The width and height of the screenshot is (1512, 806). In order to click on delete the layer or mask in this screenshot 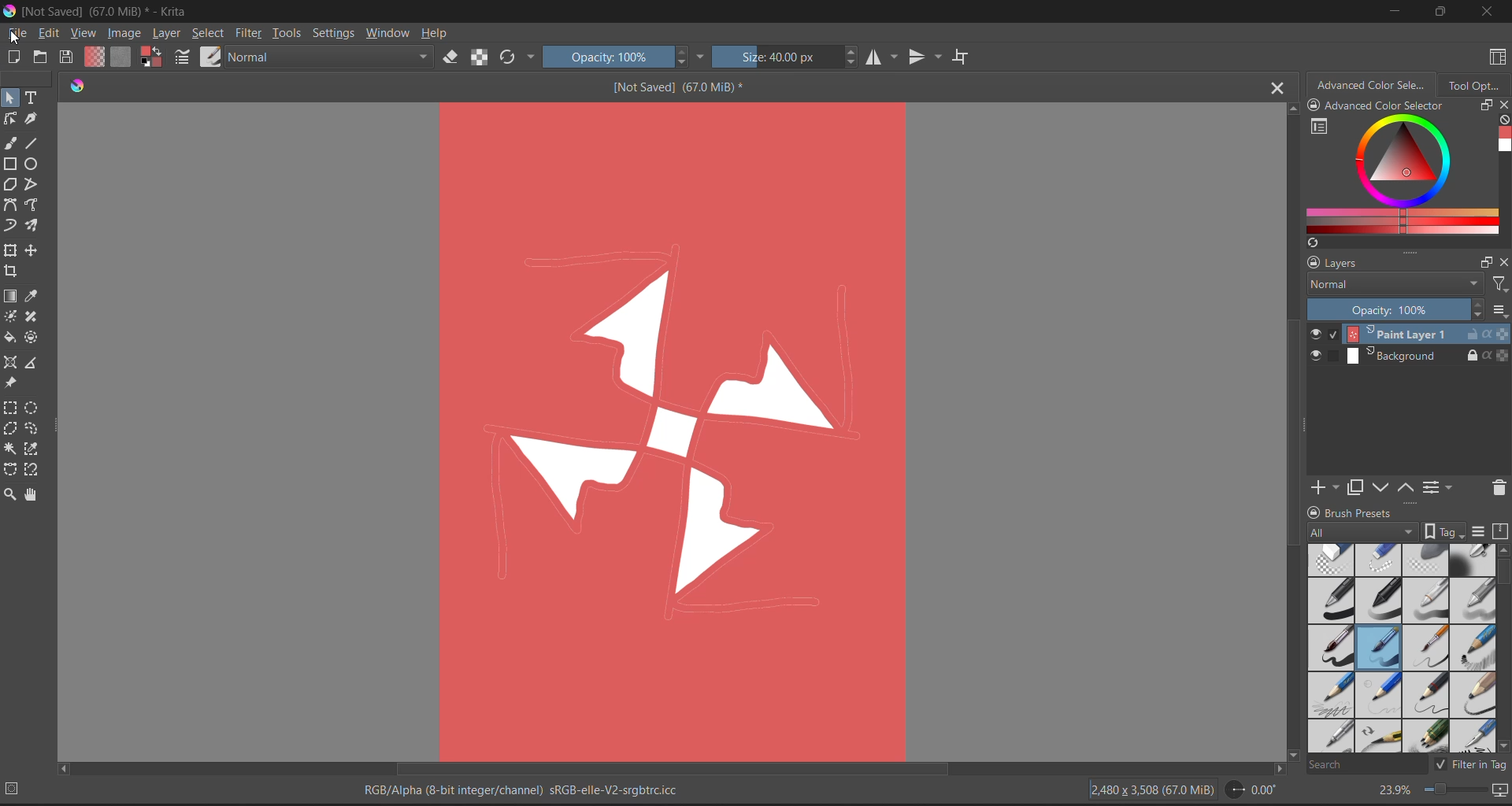, I will do `click(1494, 490)`.